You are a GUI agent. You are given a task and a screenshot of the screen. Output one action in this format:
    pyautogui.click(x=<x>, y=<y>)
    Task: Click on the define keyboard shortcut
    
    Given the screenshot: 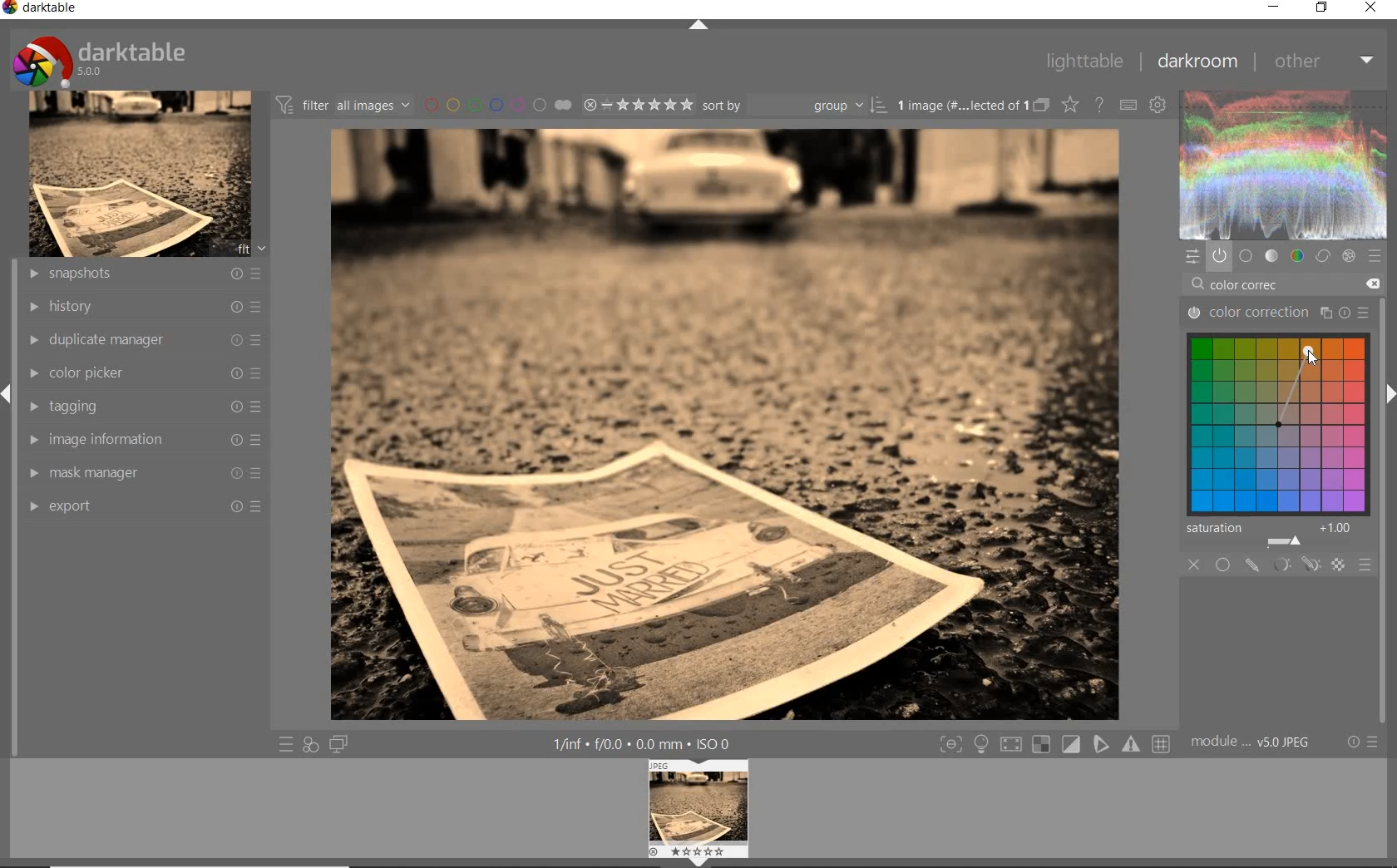 What is the action you would take?
    pyautogui.click(x=1128, y=104)
    